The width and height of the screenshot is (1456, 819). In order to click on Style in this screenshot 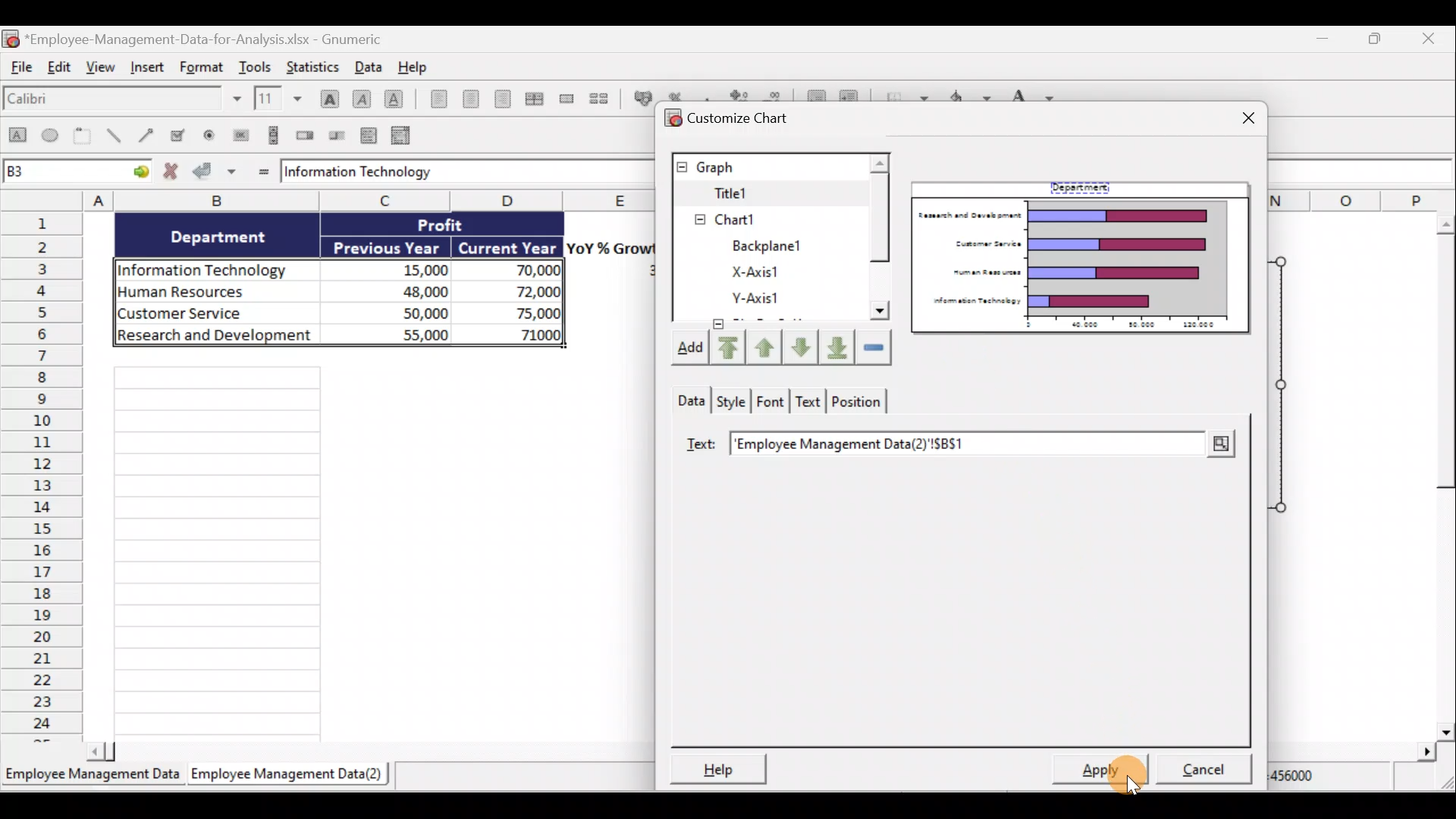, I will do `click(730, 400)`.